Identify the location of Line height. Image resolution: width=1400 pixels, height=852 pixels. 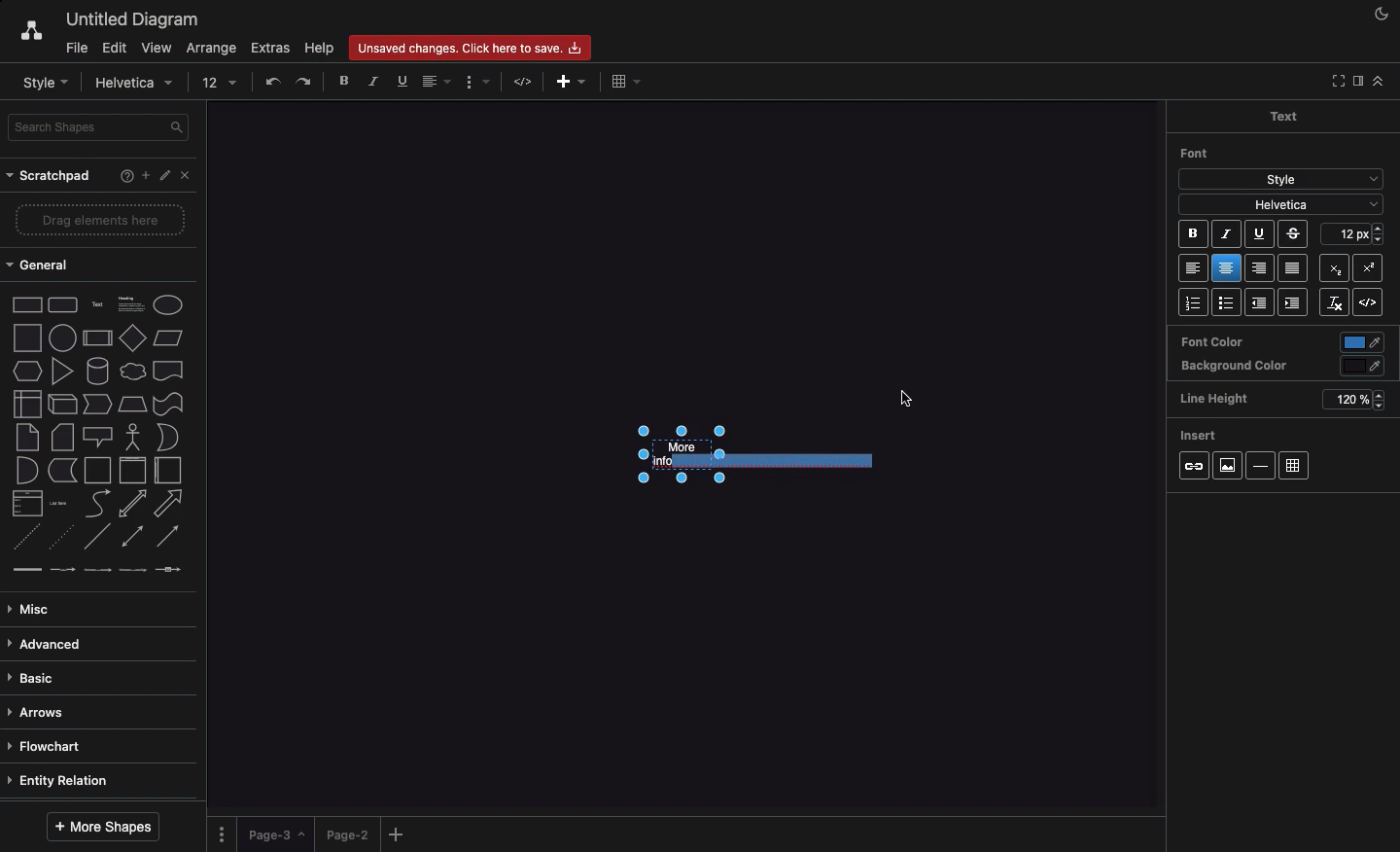
(1221, 396).